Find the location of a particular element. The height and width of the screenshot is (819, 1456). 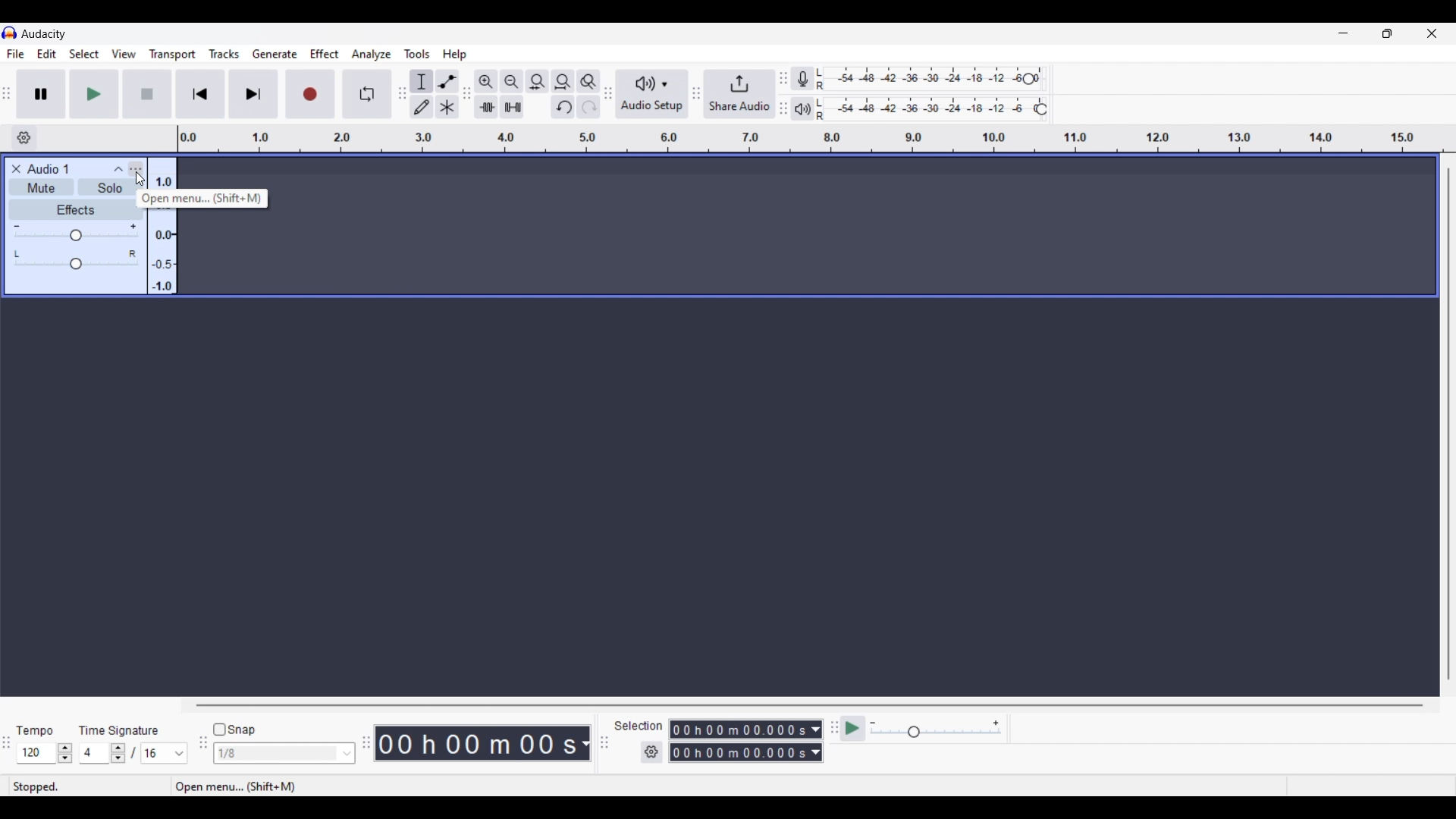

File menu is located at coordinates (15, 54).